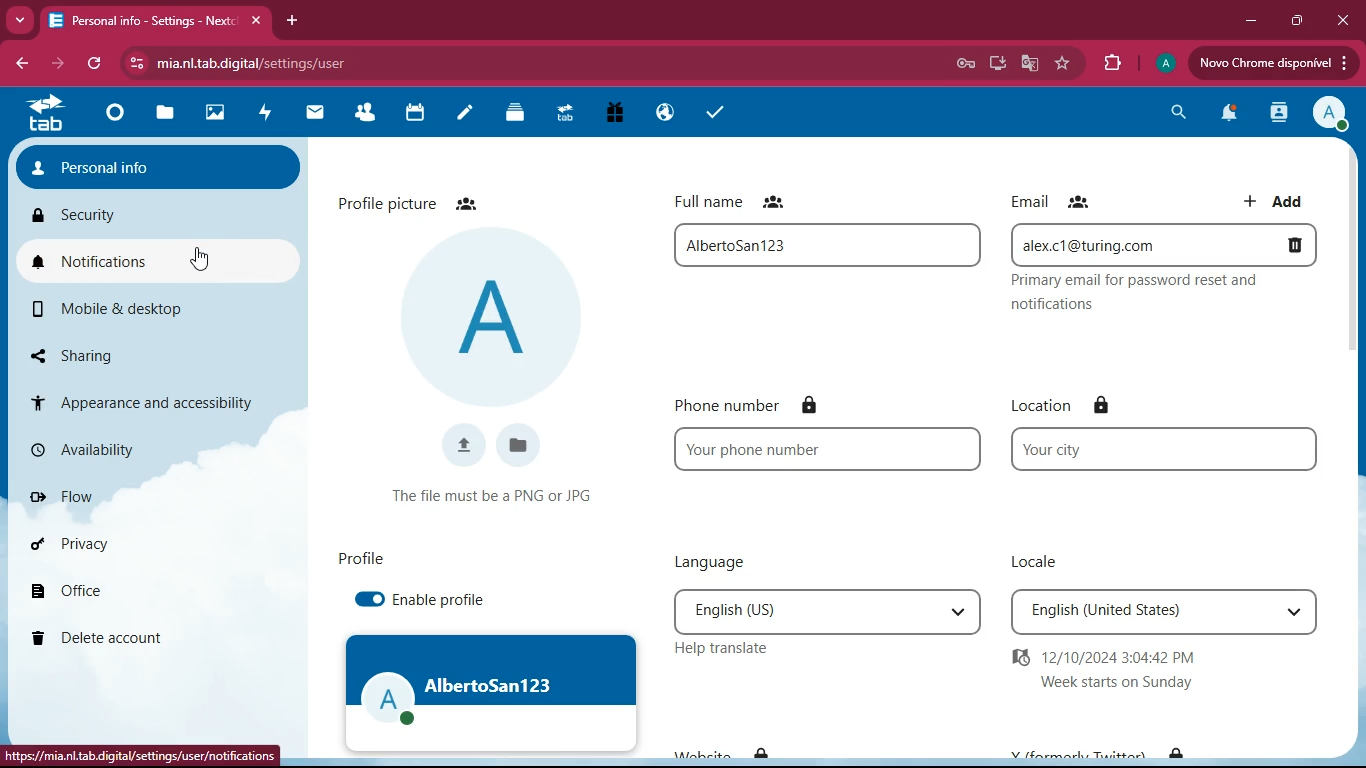  I want to click on profile picture, so click(426, 202).